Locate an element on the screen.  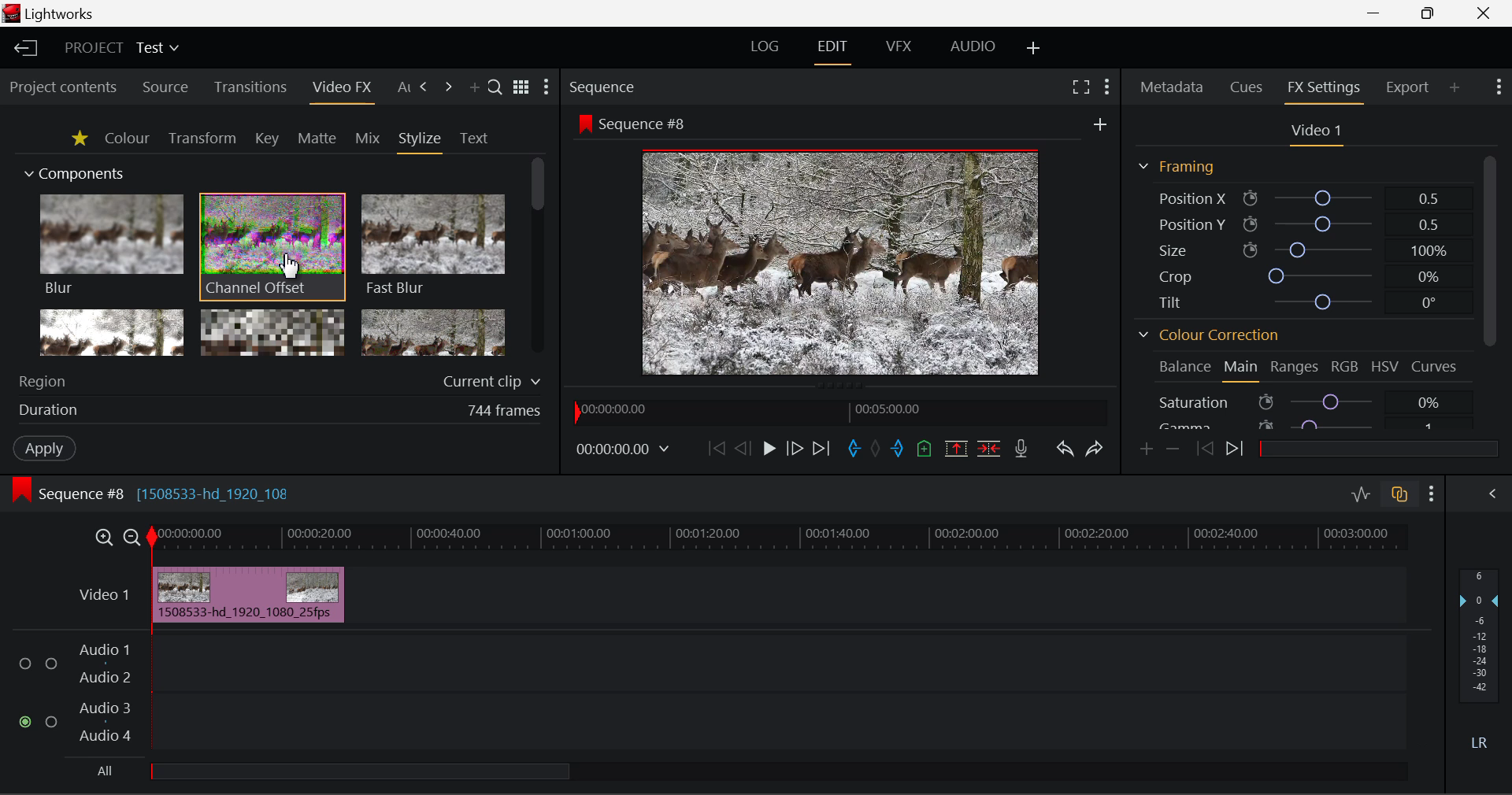
Frame Duration is located at coordinates (280, 412).